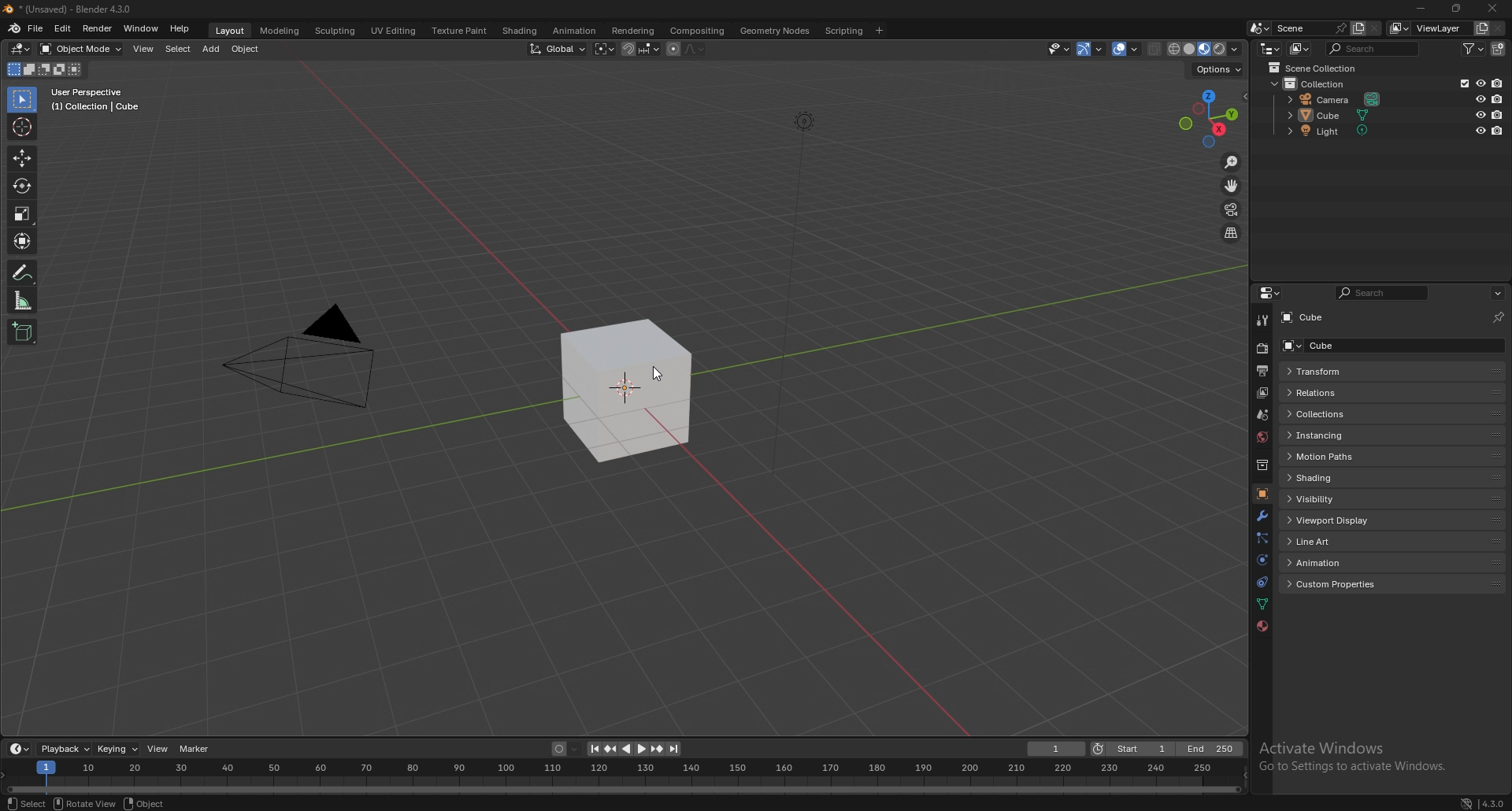  What do you see at coordinates (1333, 500) in the screenshot?
I see `visibility` at bounding box center [1333, 500].